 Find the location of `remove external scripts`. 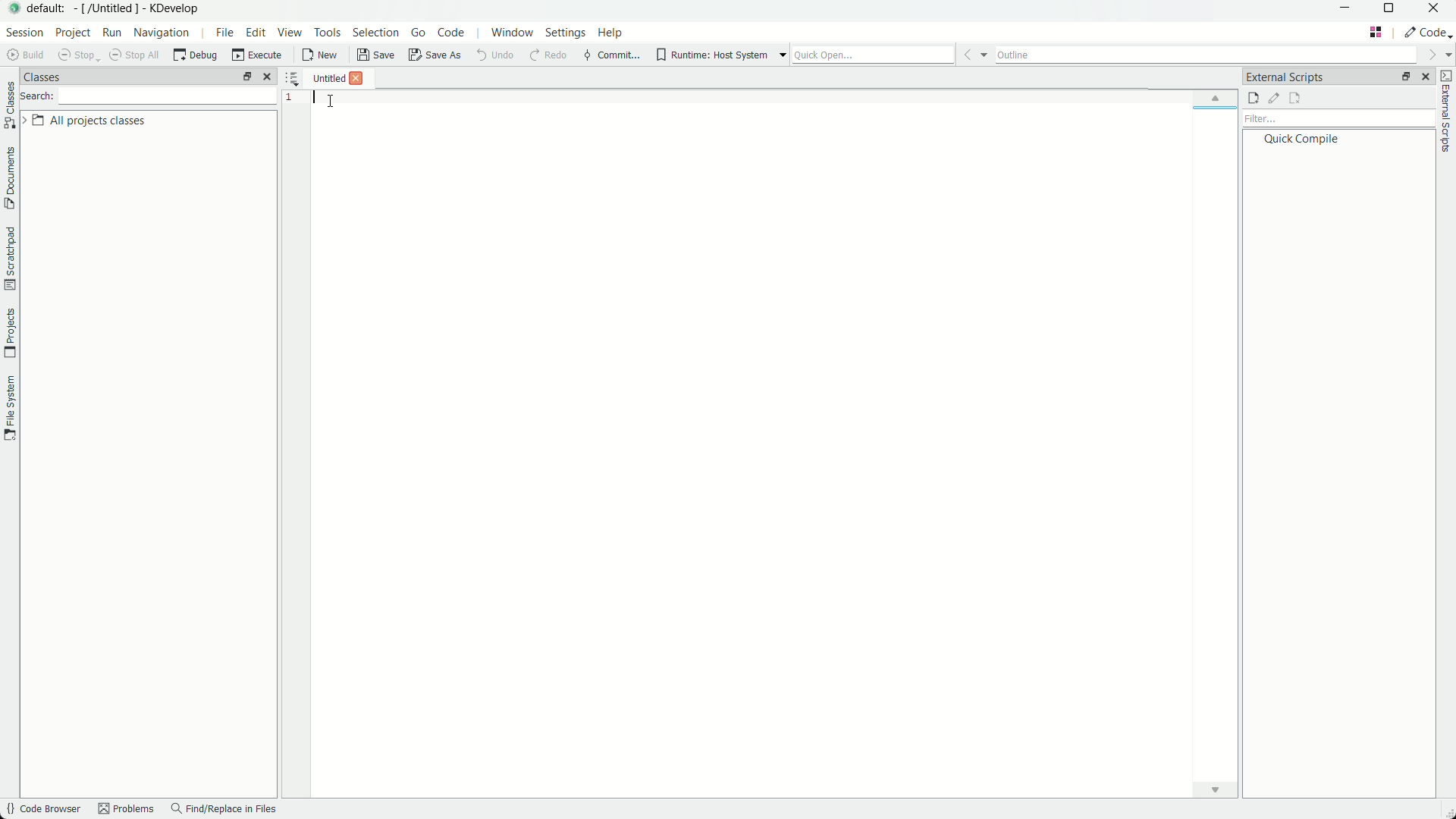

remove external scripts is located at coordinates (1294, 99).